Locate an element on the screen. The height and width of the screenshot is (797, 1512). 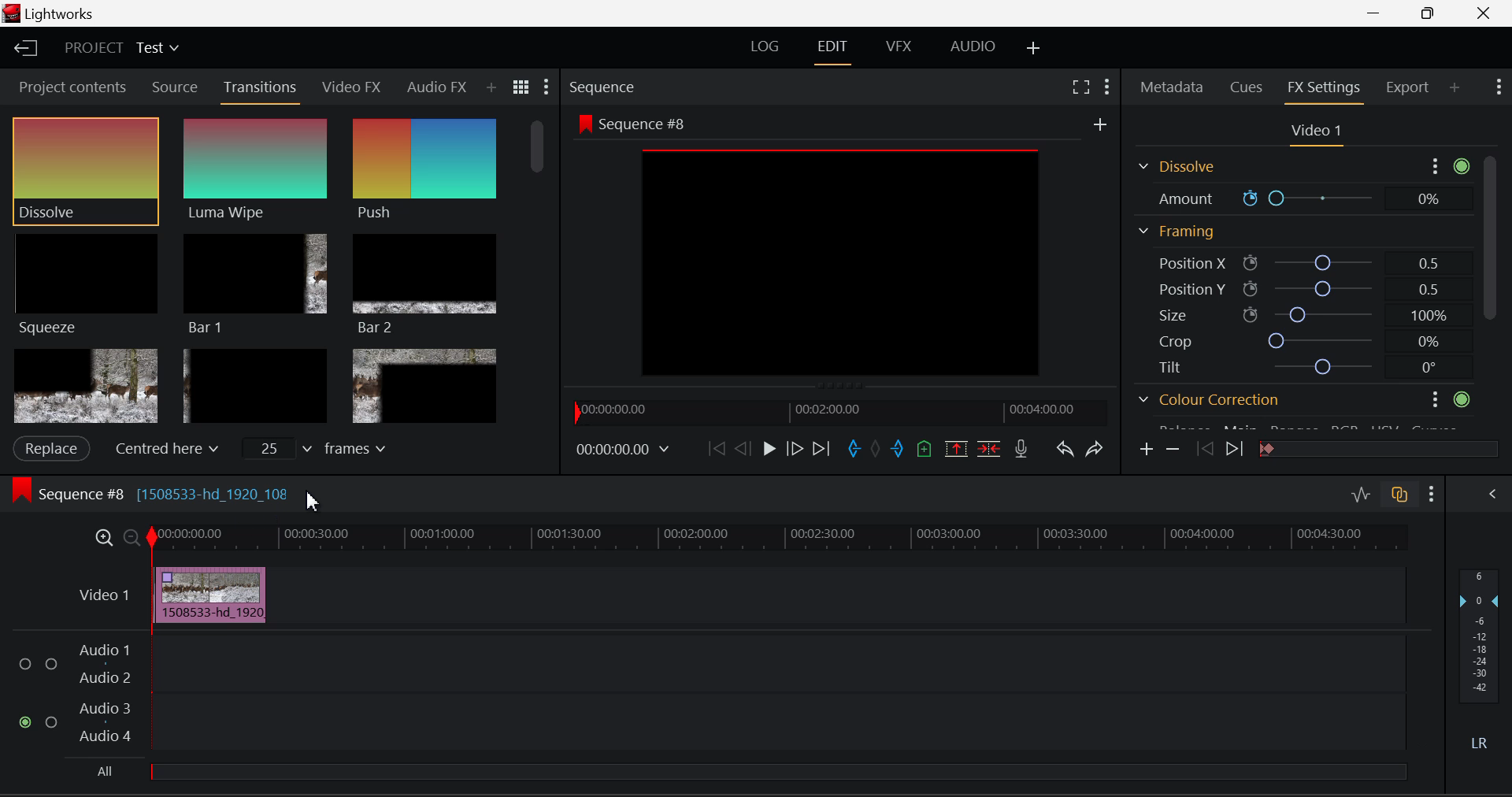
Centered here is located at coordinates (166, 447).